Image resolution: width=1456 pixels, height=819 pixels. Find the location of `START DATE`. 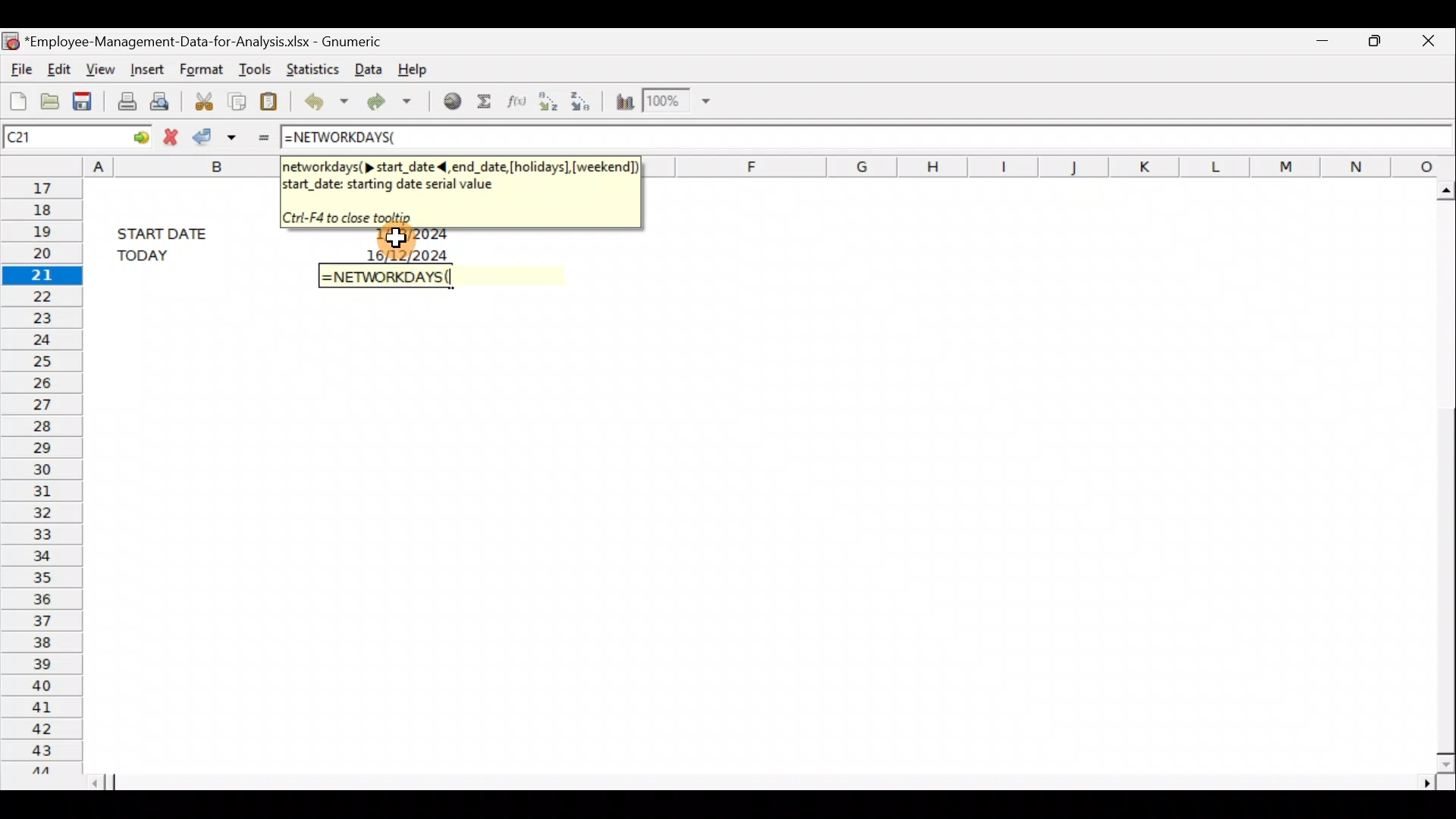

START DATE is located at coordinates (171, 231).